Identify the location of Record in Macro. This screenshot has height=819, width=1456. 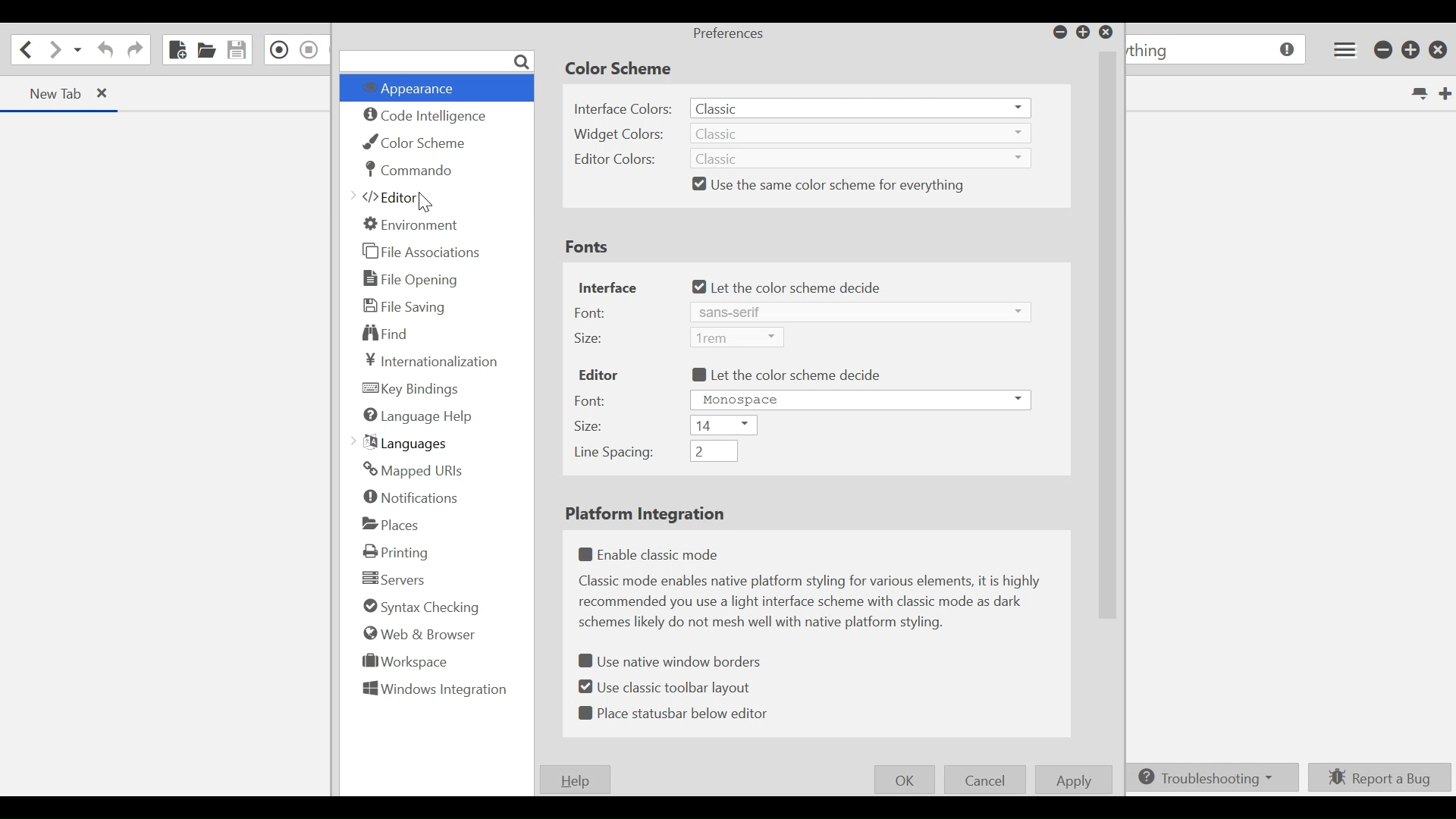
(277, 50).